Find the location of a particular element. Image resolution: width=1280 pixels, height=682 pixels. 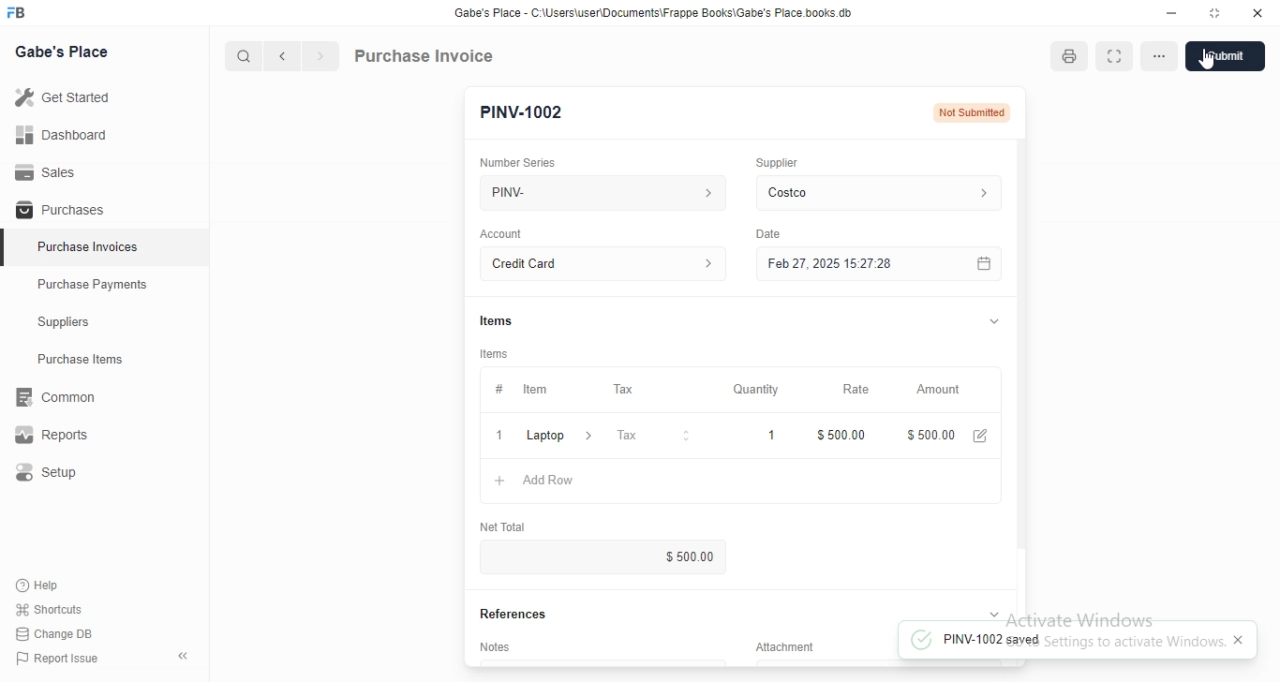

Edit is located at coordinates (980, 436).